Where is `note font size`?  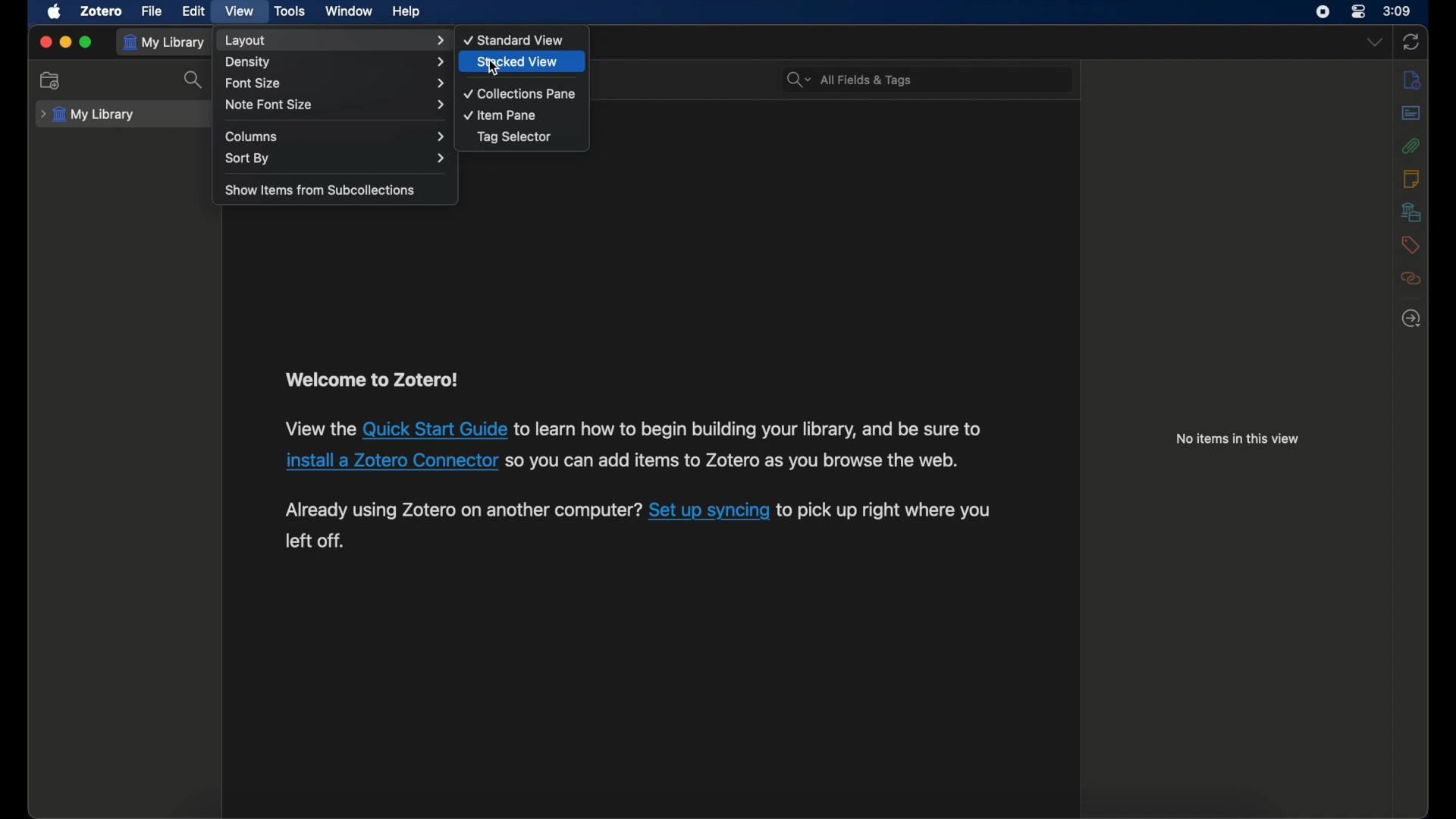
note font size is located at coordinates (335, 105).